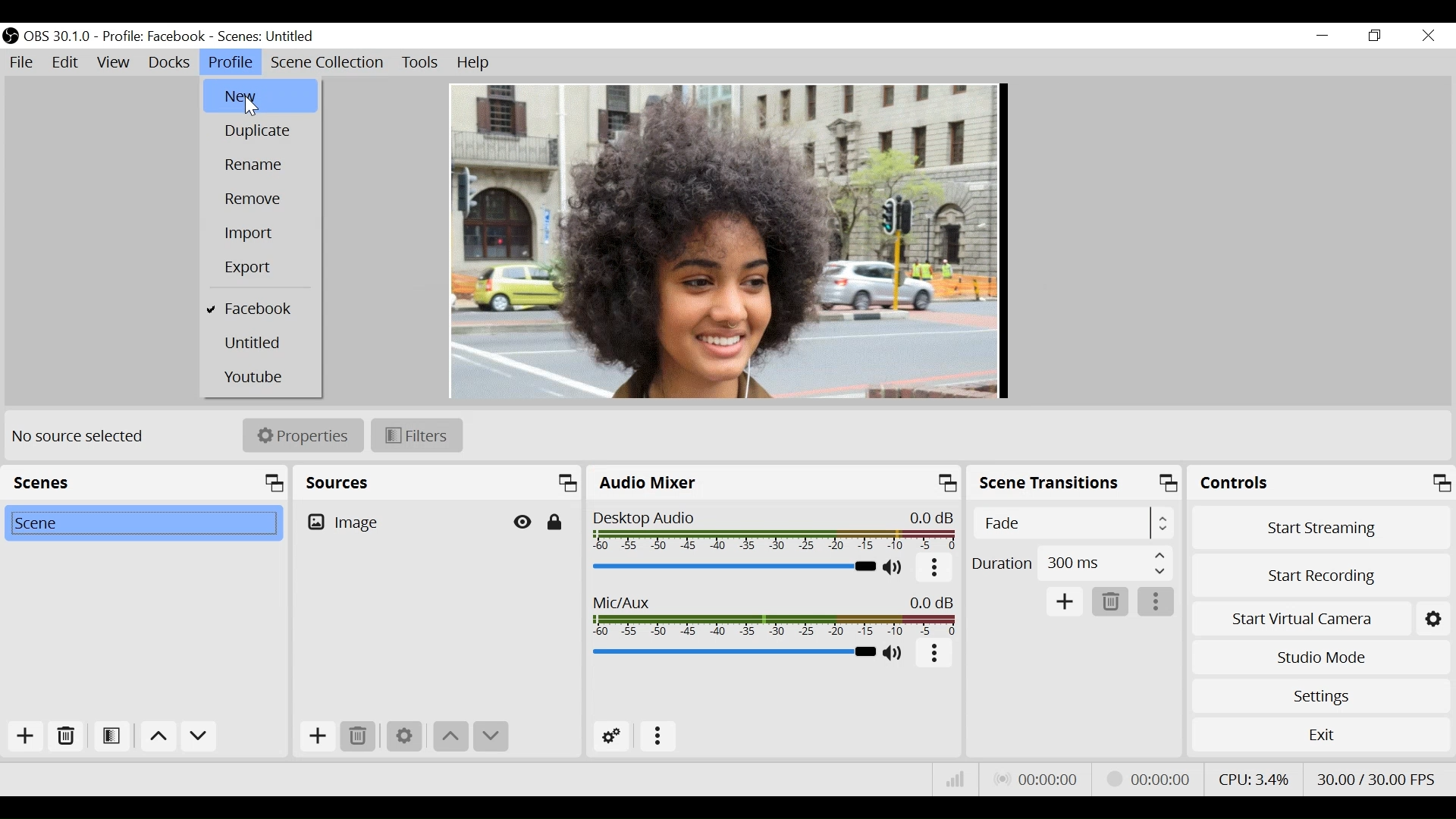  Describe the element at coordinates (1318, 659) in the screenshot. I see `Studio Mode` at that location.